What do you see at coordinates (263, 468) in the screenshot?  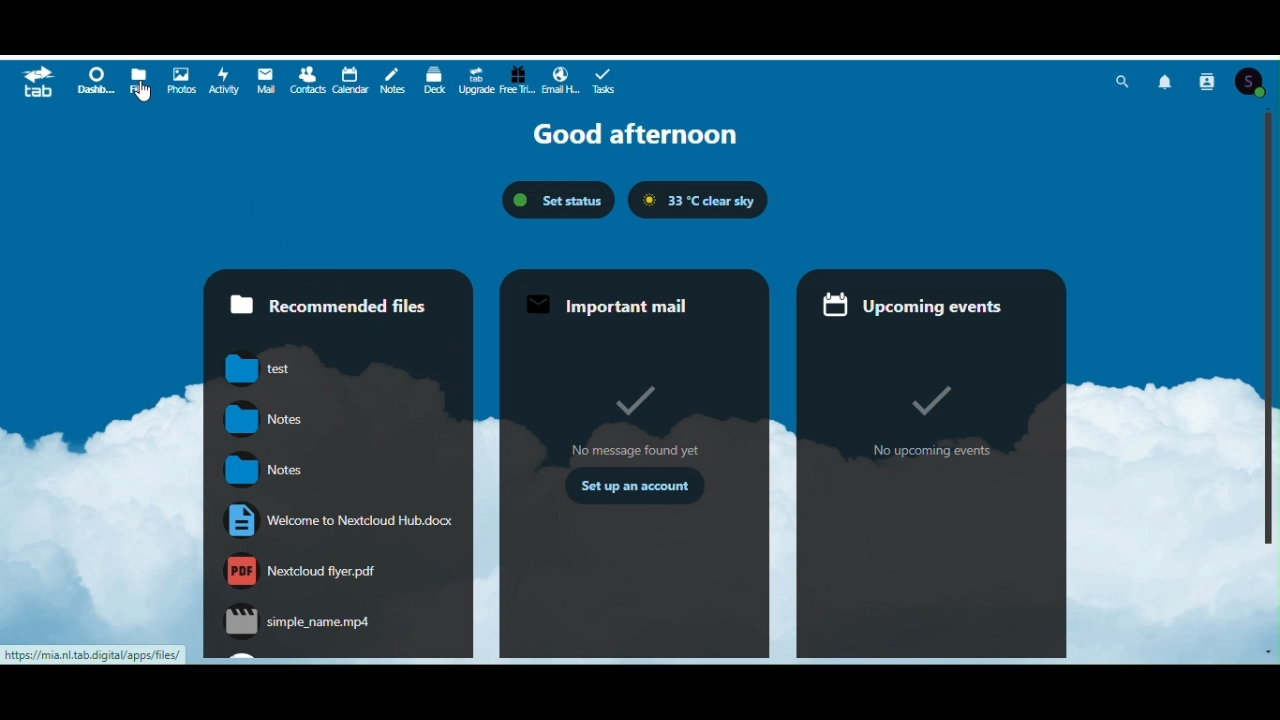 I see `notes` at bounding box center [263, 468].